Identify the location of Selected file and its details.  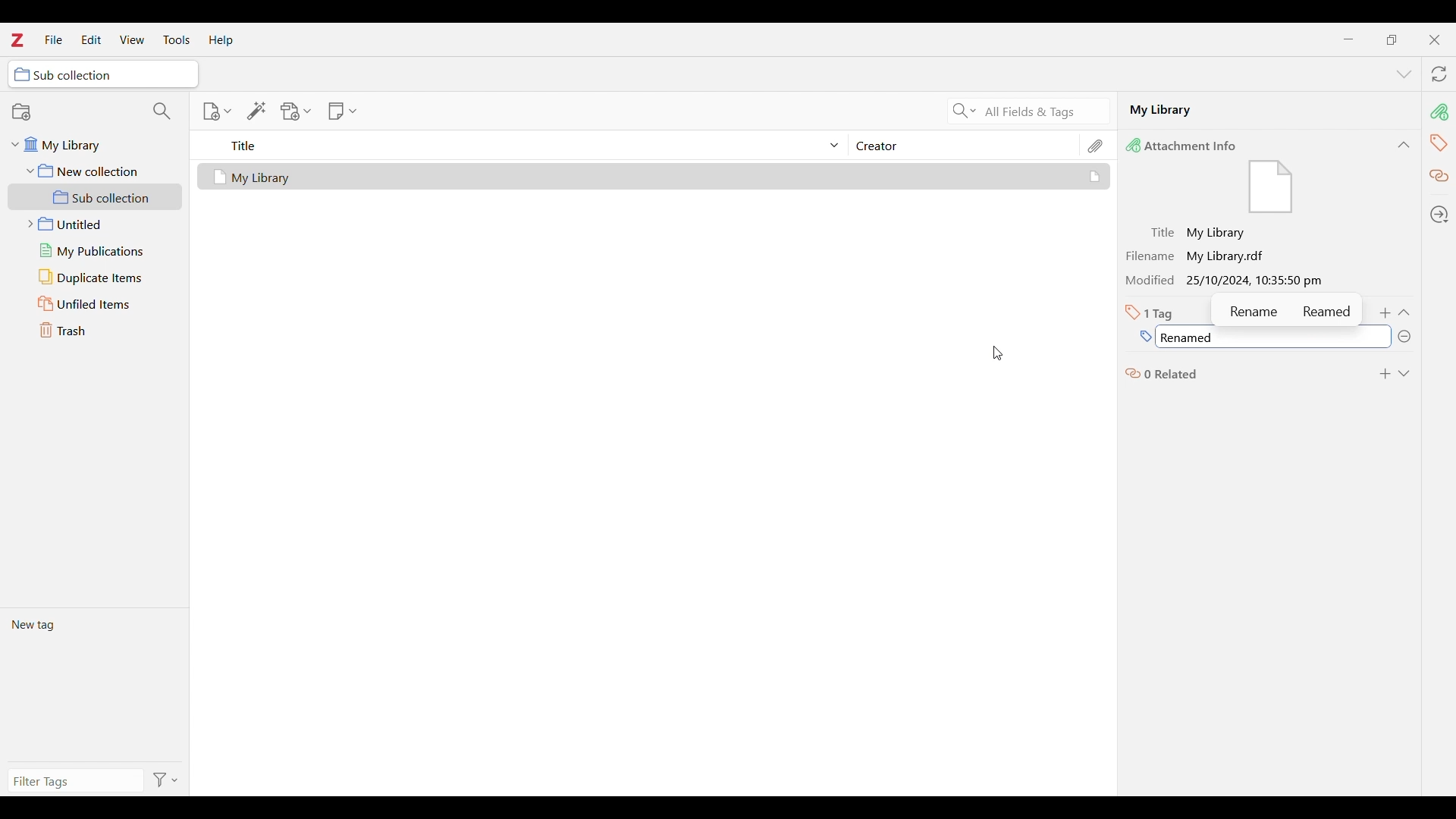
(654, 177).